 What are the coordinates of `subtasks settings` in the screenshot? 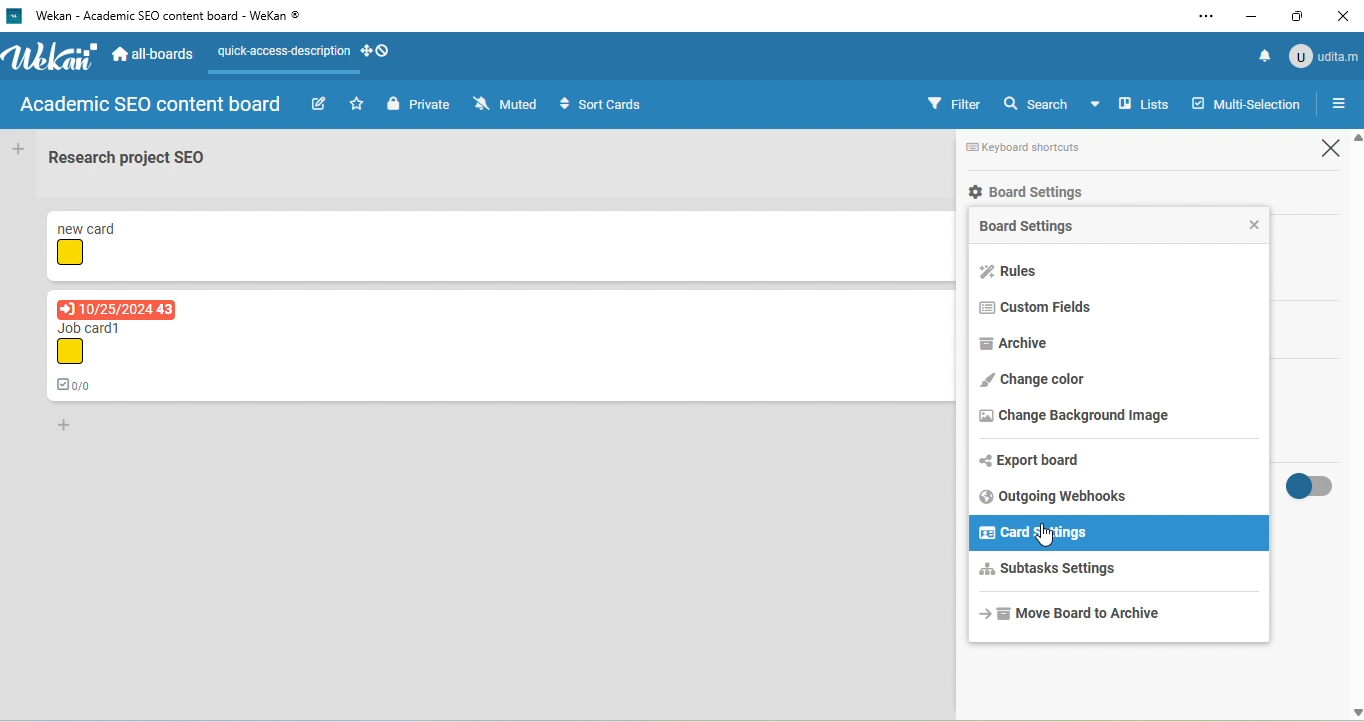 It's located at (1101, 574).